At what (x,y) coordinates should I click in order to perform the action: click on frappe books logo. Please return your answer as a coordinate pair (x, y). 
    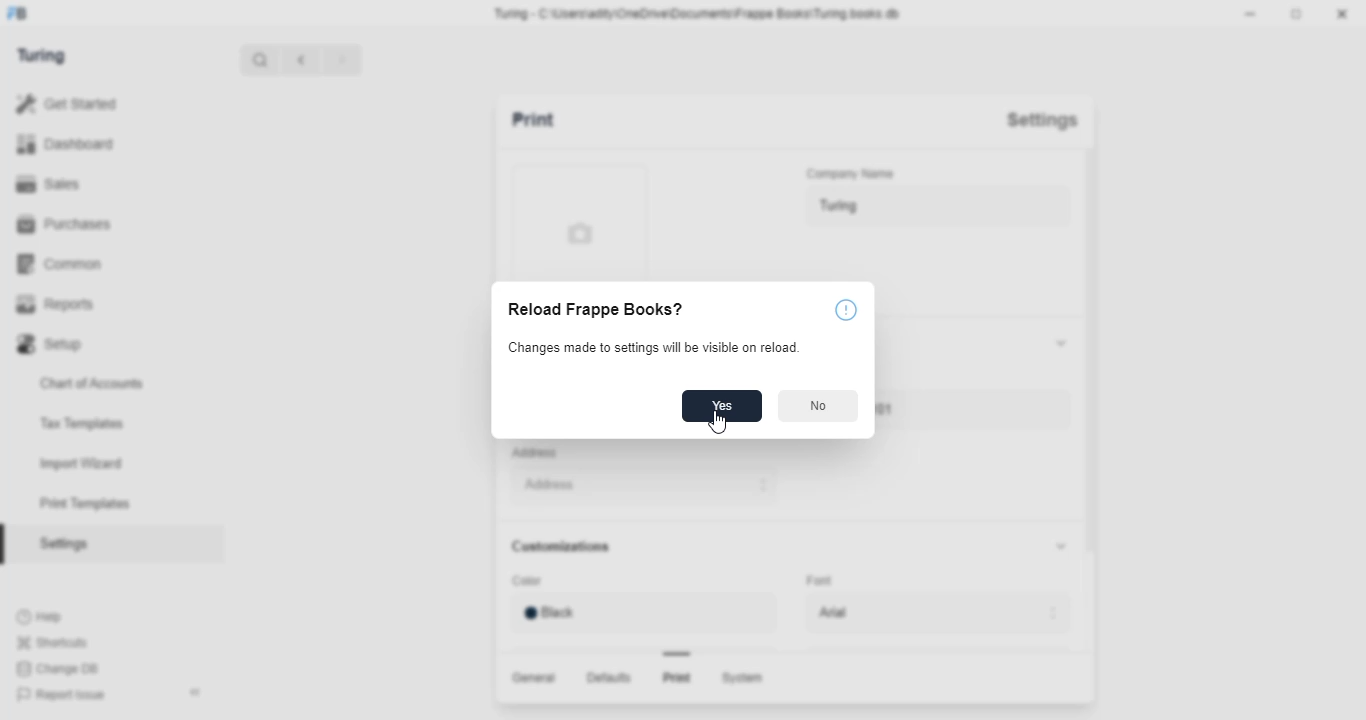
    Looking at the image, I should click on (25, 15).